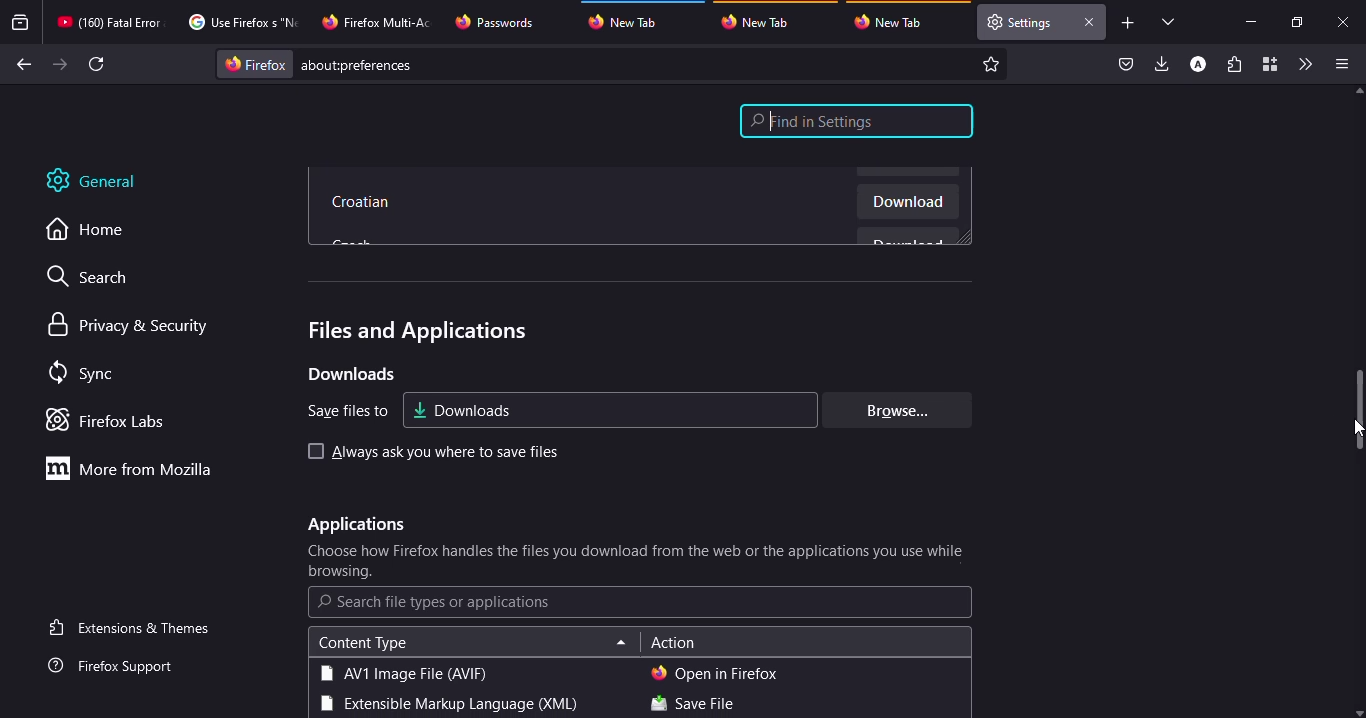 The width and height of the screenshot is (1366, 718). Describe the element at coordinates (350, 374) in the screenshot. I see `downloads` at that location.